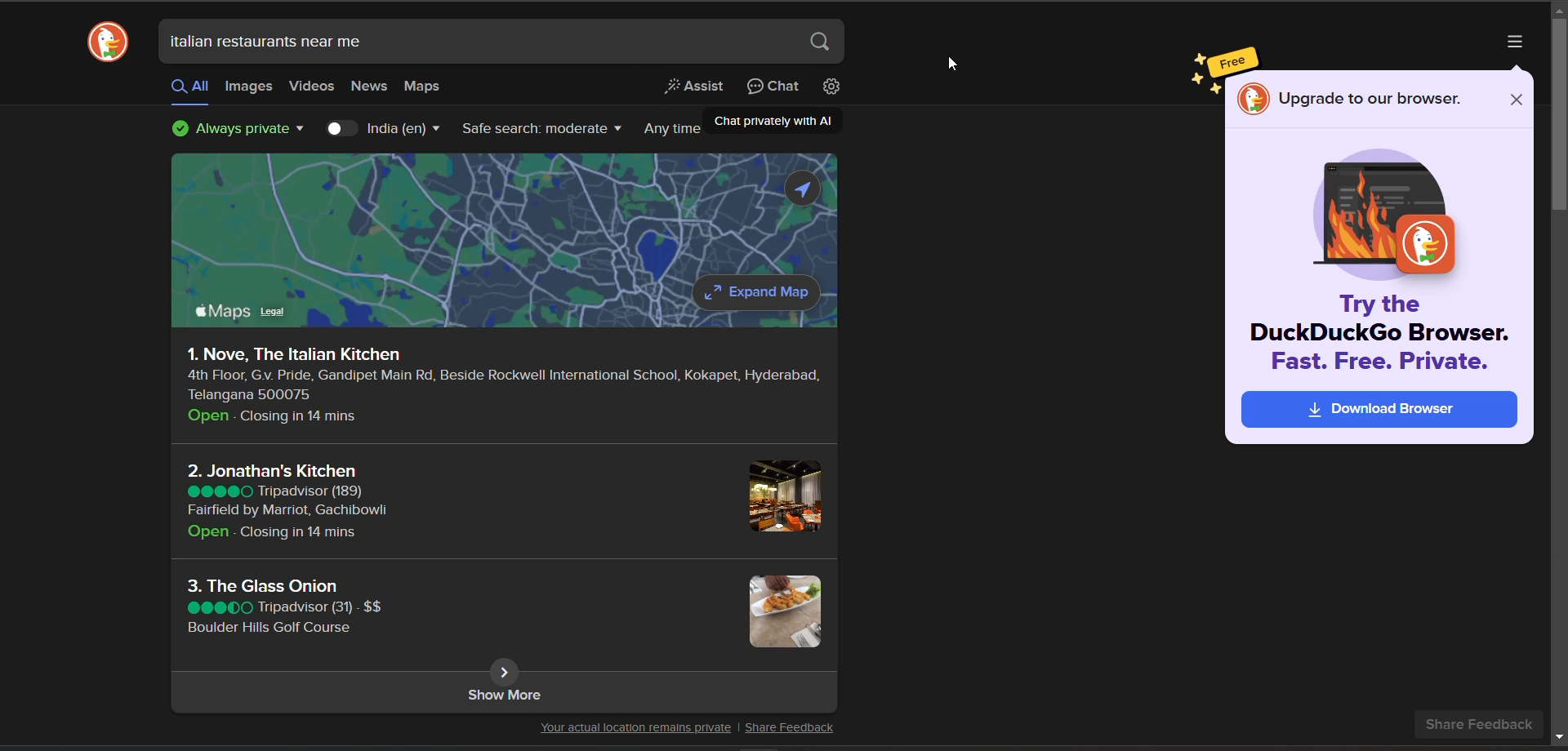  I want to click on upgrade duckduckgo logo, so click(1383, 216).